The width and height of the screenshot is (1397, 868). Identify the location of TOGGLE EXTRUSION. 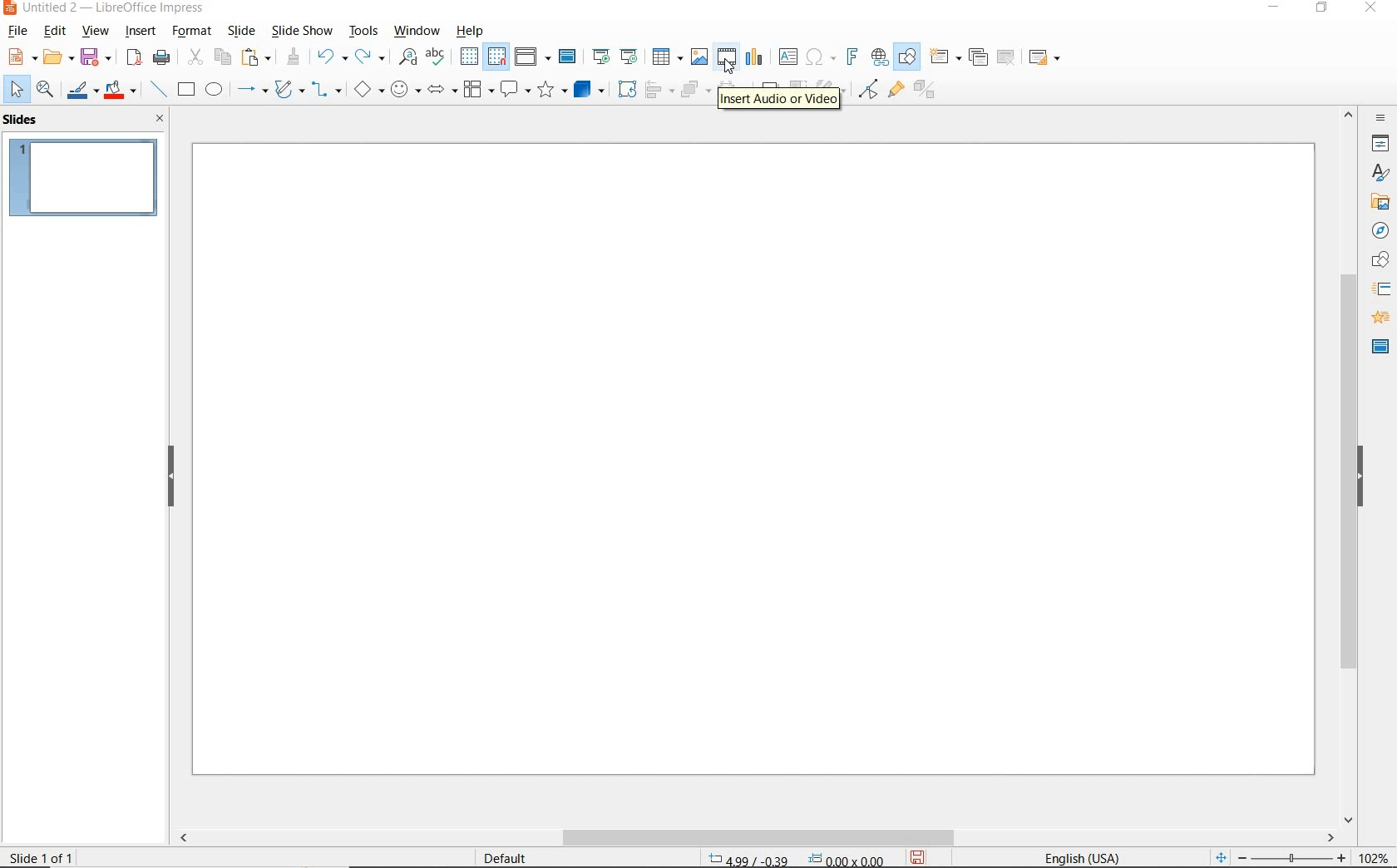
(926, 91).